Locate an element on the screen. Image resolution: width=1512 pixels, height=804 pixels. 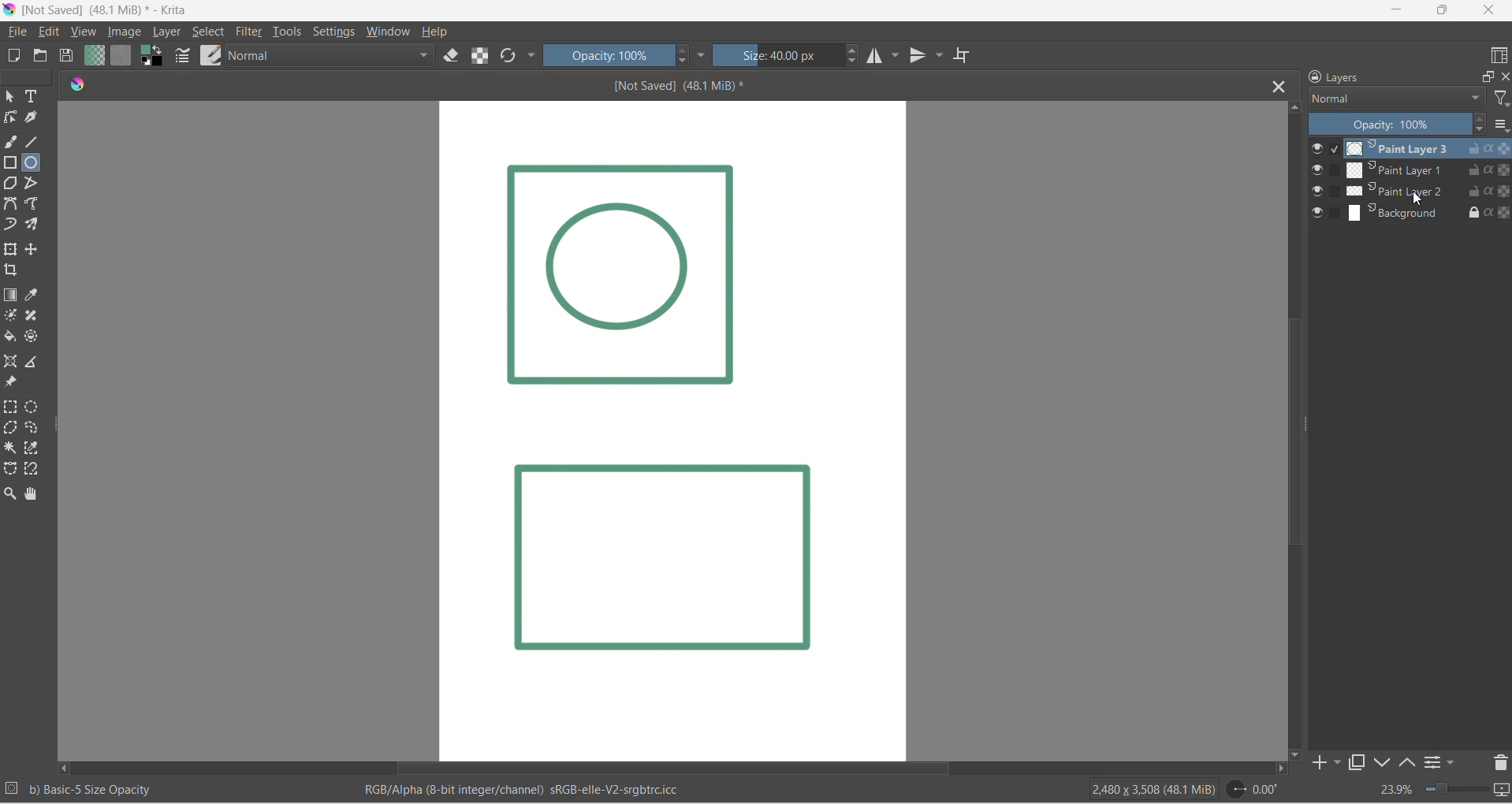
Preserver Alpha is located at coordinates (1497, 190).